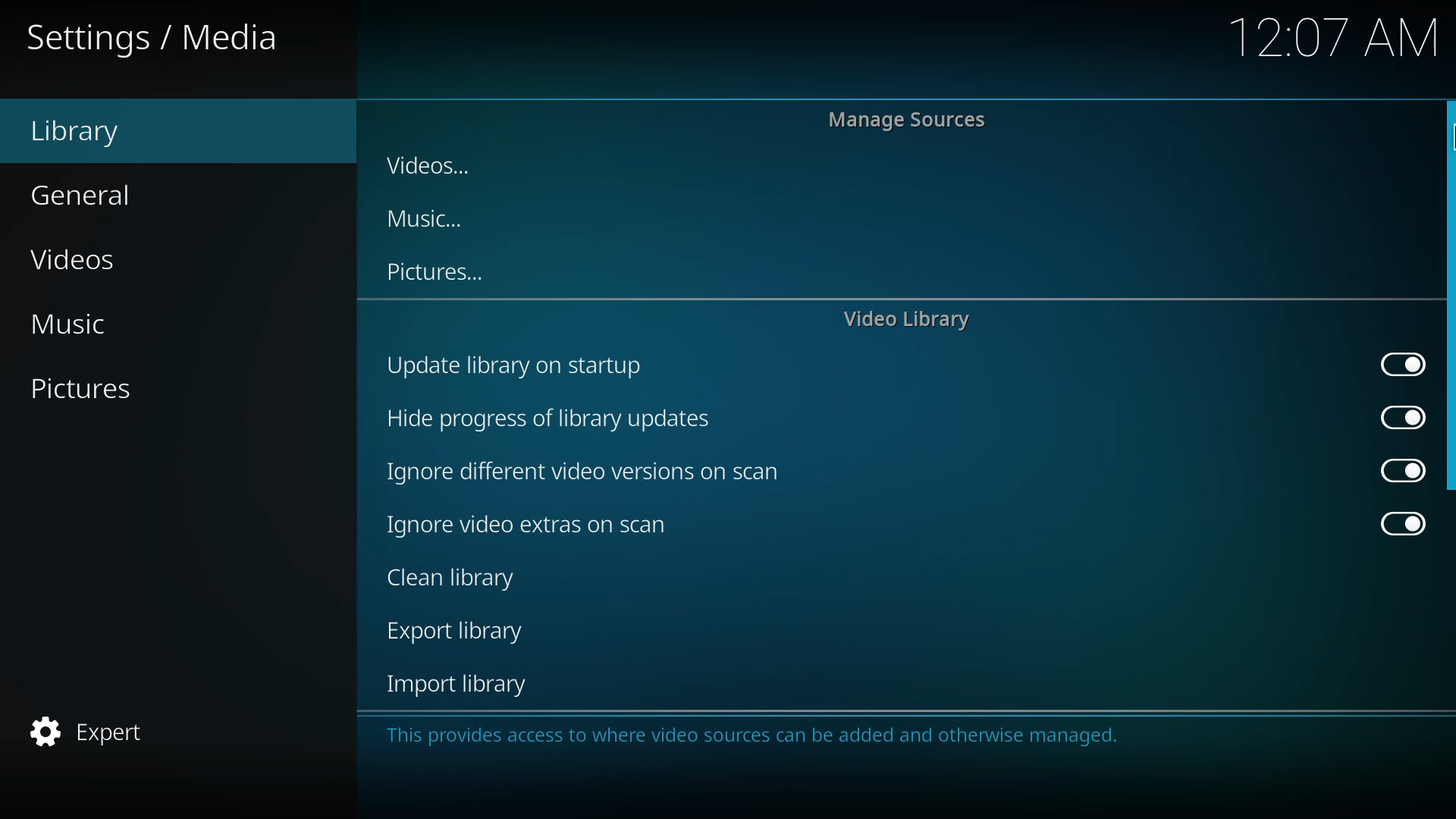 The width and height of the screenshot is (1456, 819). Describe the element at coordinates (905, 316) in the screenshot. I see `video library` at that location.